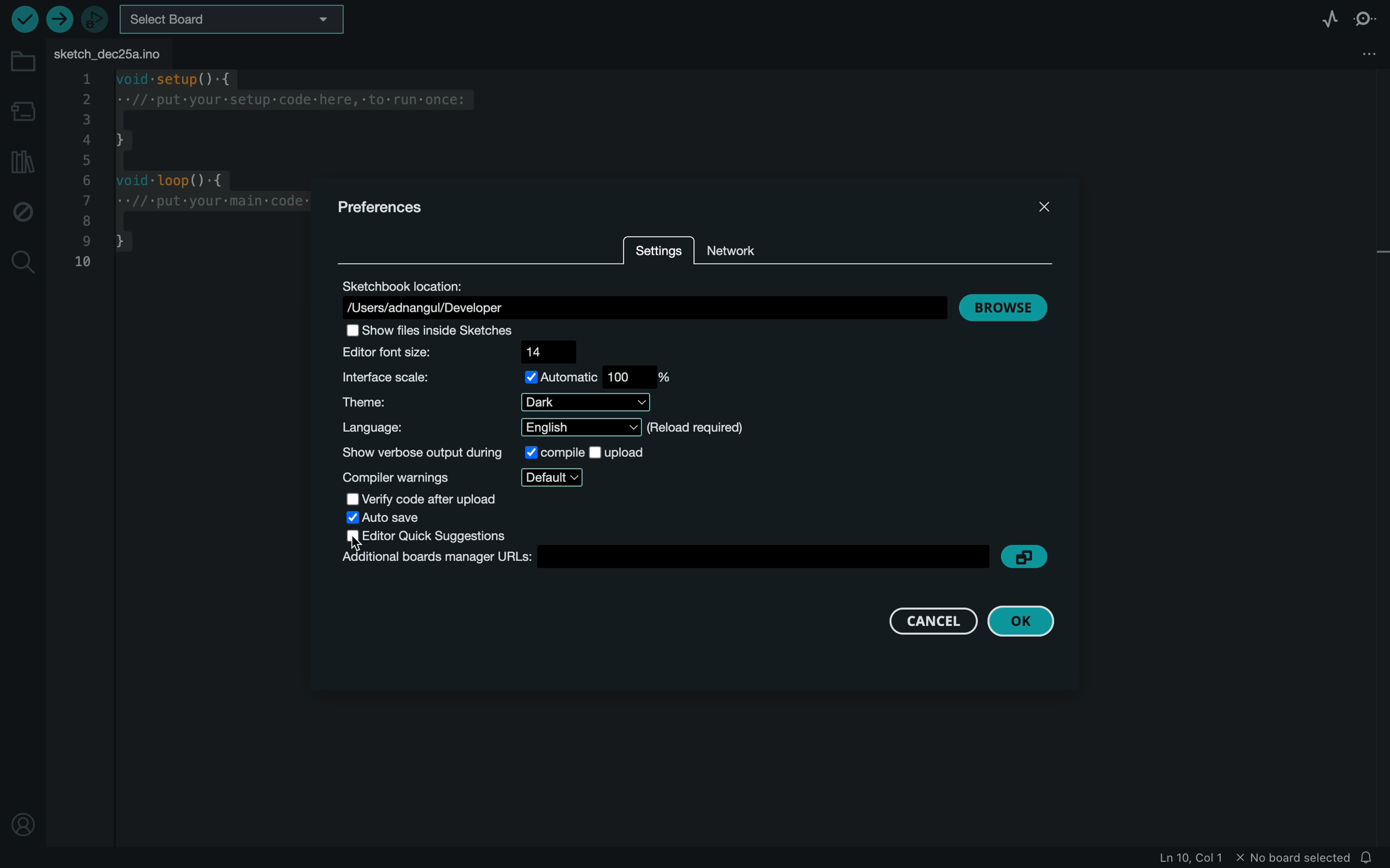  Describe the element at coordinates (25, 113) in the screenshot. I see `board  manager` at that location.